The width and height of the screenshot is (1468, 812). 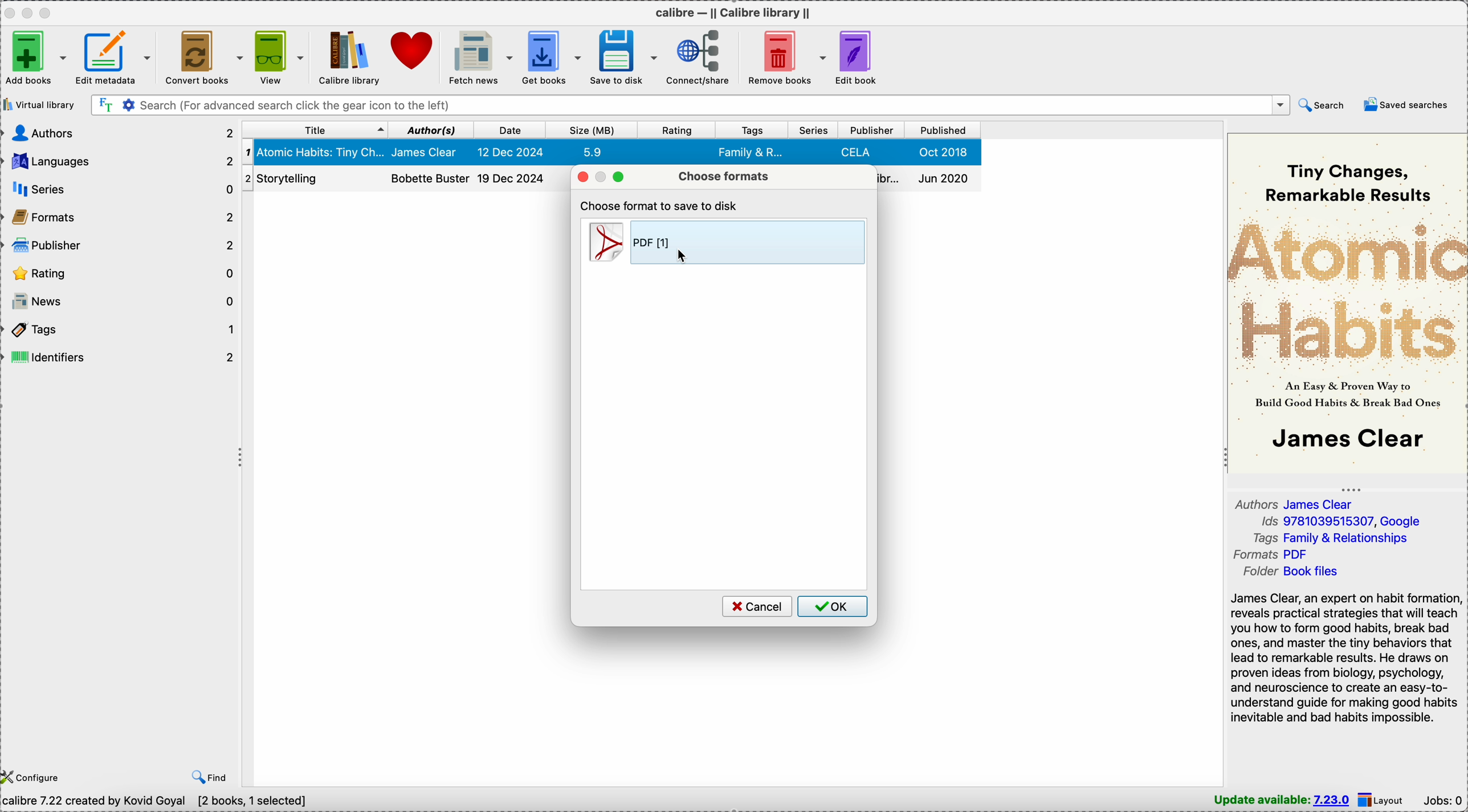 I want to click on tags, so click(x=753, y=129).